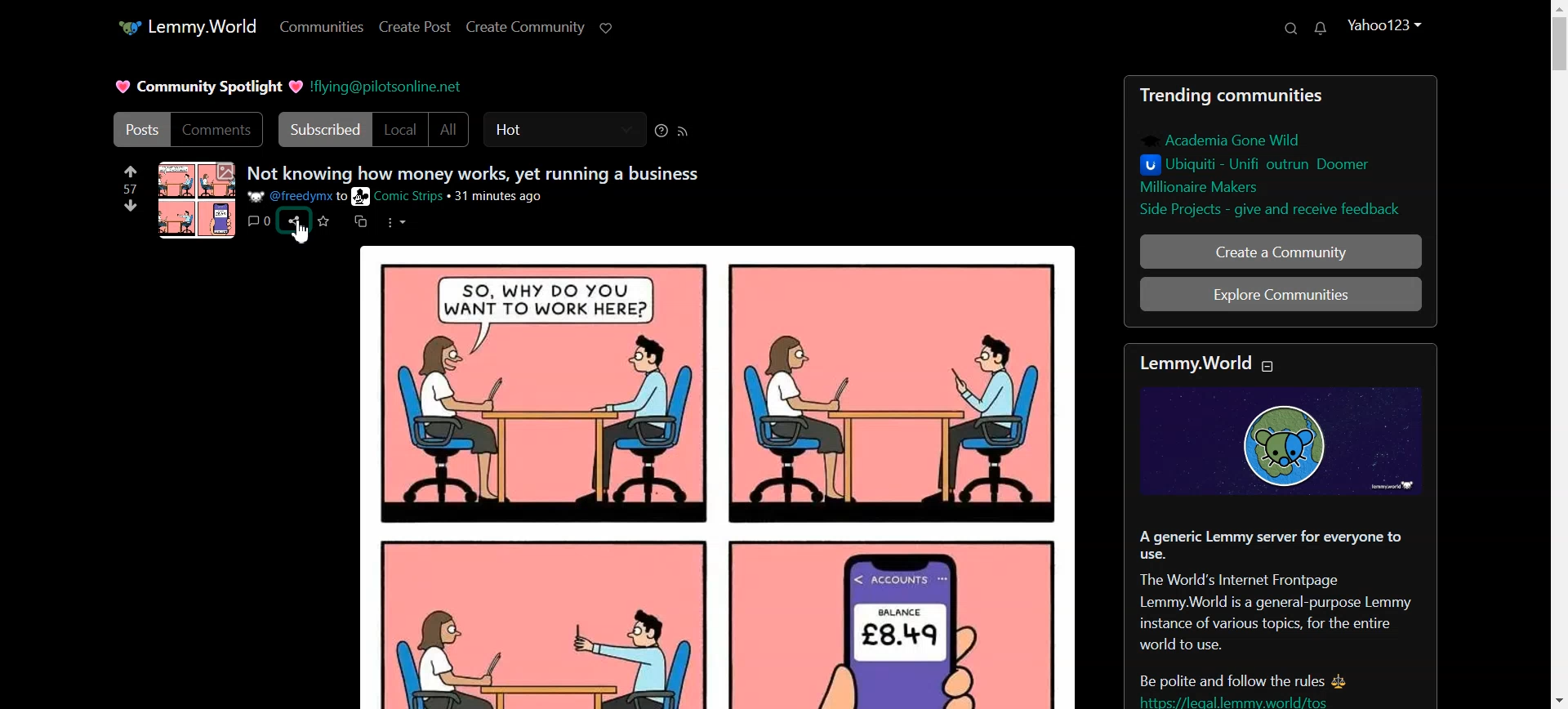 This screenshot has height=709, width=1568. What do you see at coordinates (661, 130) in the screenshot?
I see `sorting help` at bounding box center [661, 130].